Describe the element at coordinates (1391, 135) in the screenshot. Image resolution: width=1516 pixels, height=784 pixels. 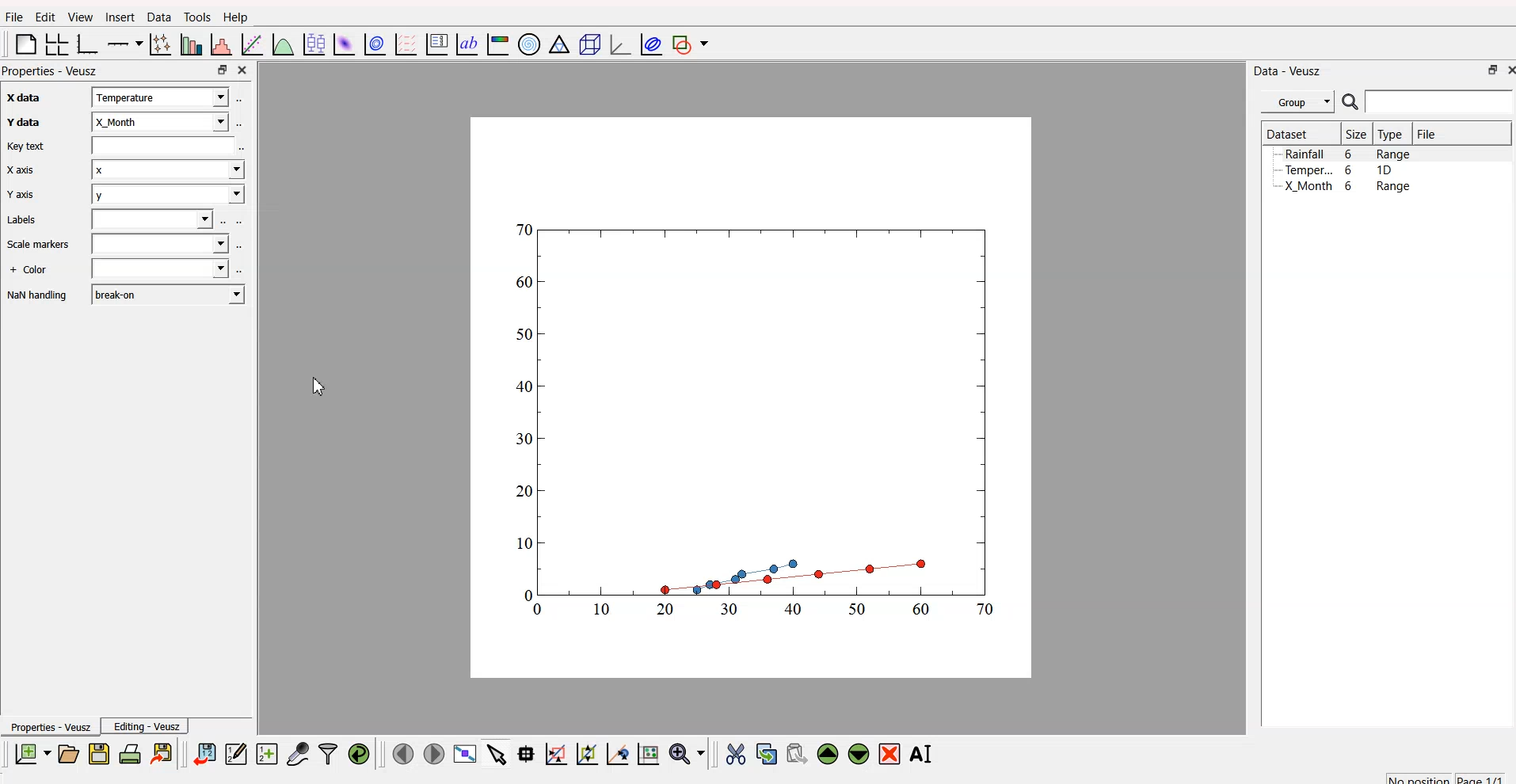
I see `Type` at that location.